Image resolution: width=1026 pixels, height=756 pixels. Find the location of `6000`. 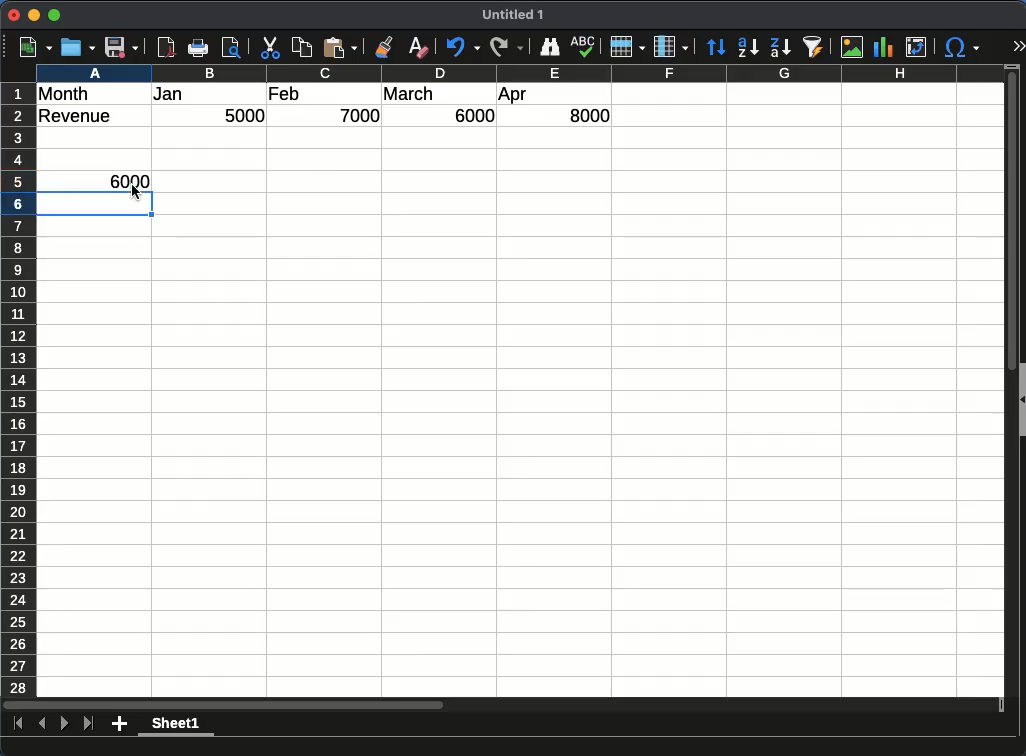

6000 is located at coordinates (128, 181).